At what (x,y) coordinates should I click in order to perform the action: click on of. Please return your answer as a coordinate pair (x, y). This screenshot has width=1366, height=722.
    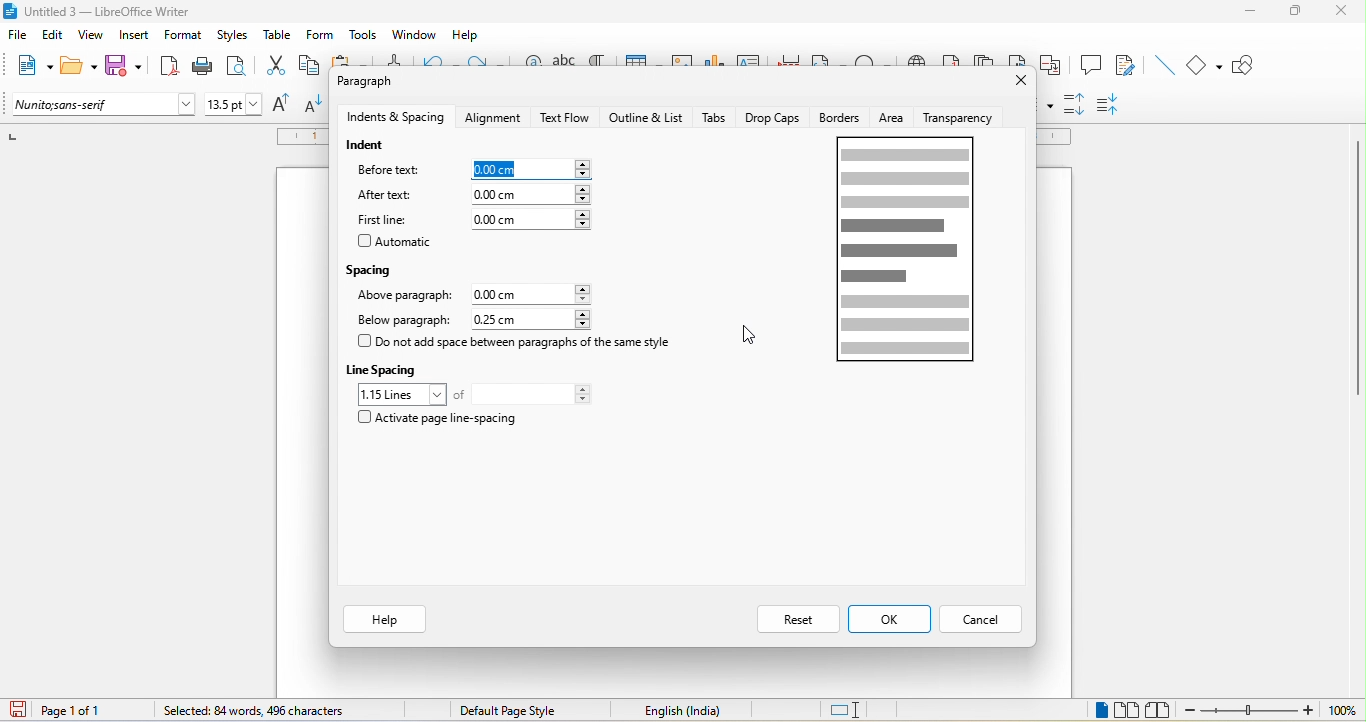
    Looking at the image, I should click on (459, 394).